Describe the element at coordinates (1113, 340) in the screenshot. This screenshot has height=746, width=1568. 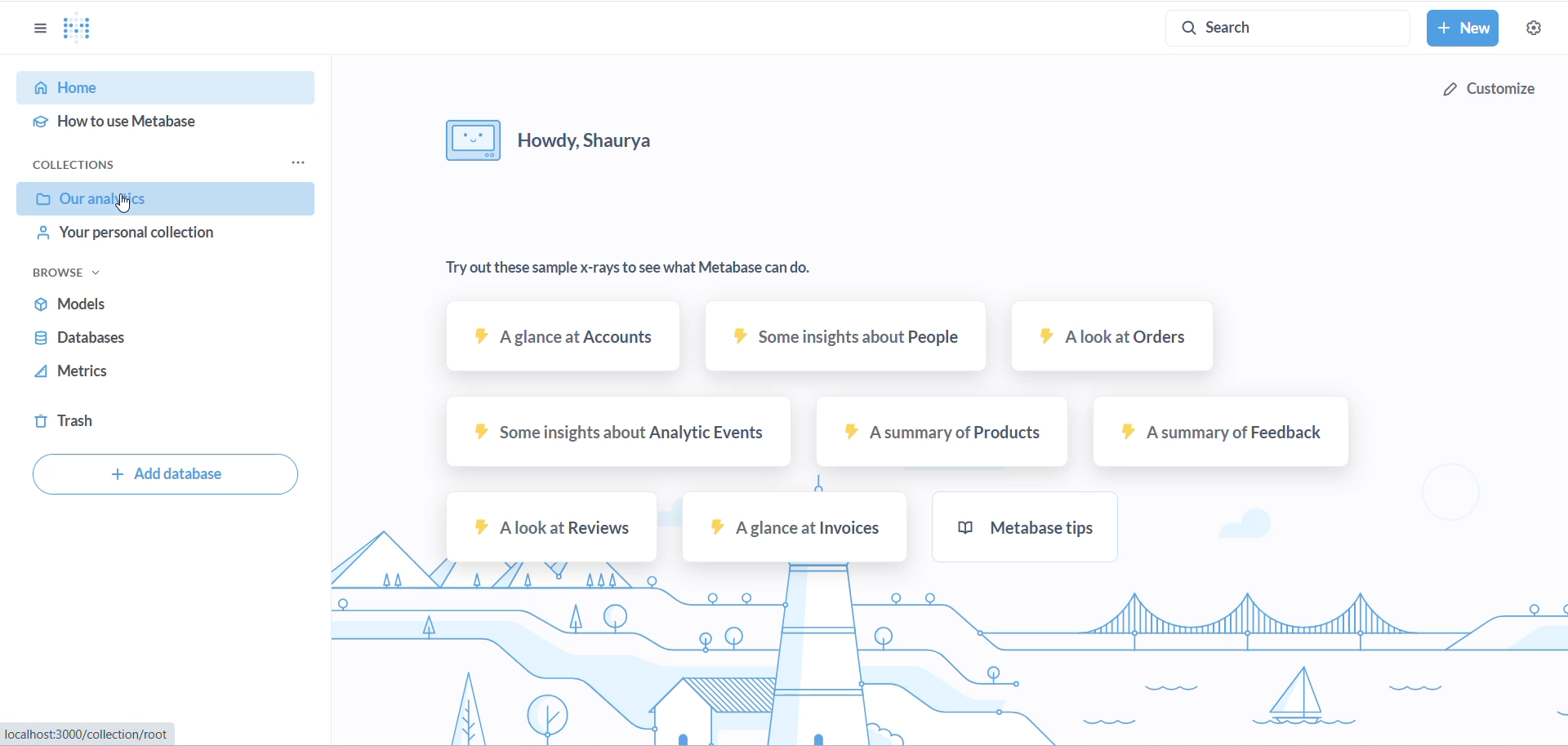
I see `A look at orders` at that location.